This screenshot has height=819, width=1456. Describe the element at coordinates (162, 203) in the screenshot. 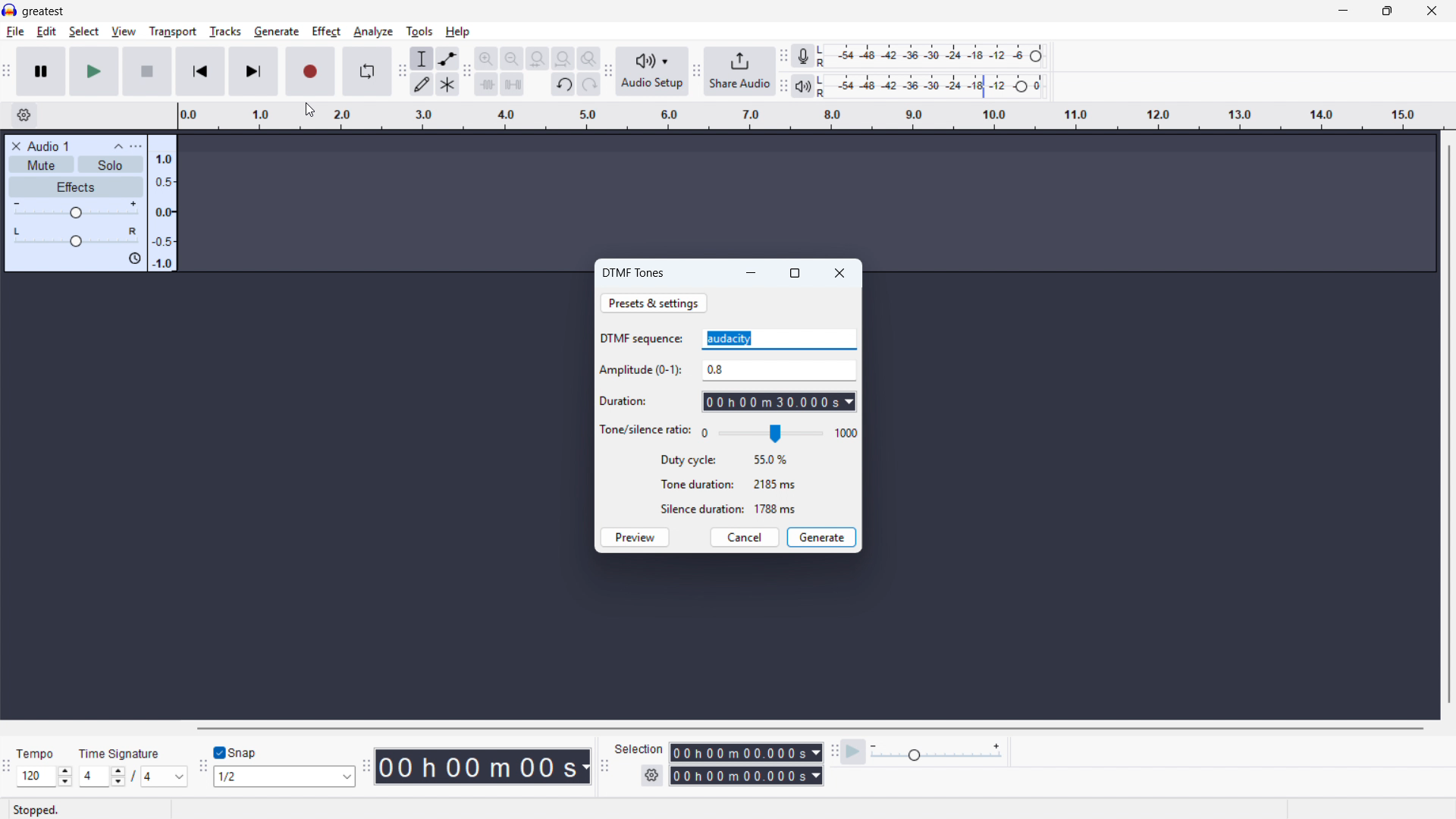

I see `Amplitude ` at that location.